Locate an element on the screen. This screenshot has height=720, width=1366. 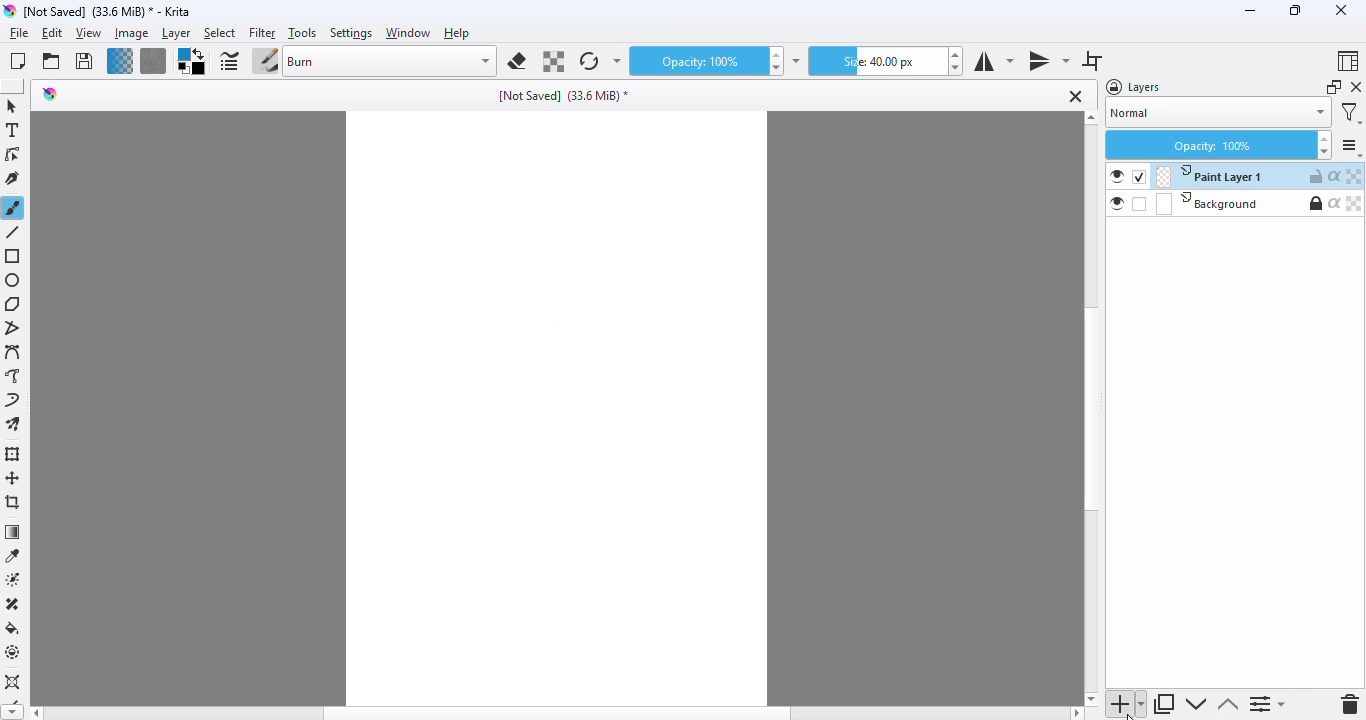
fill gradients is located at coordinates (120, 61).